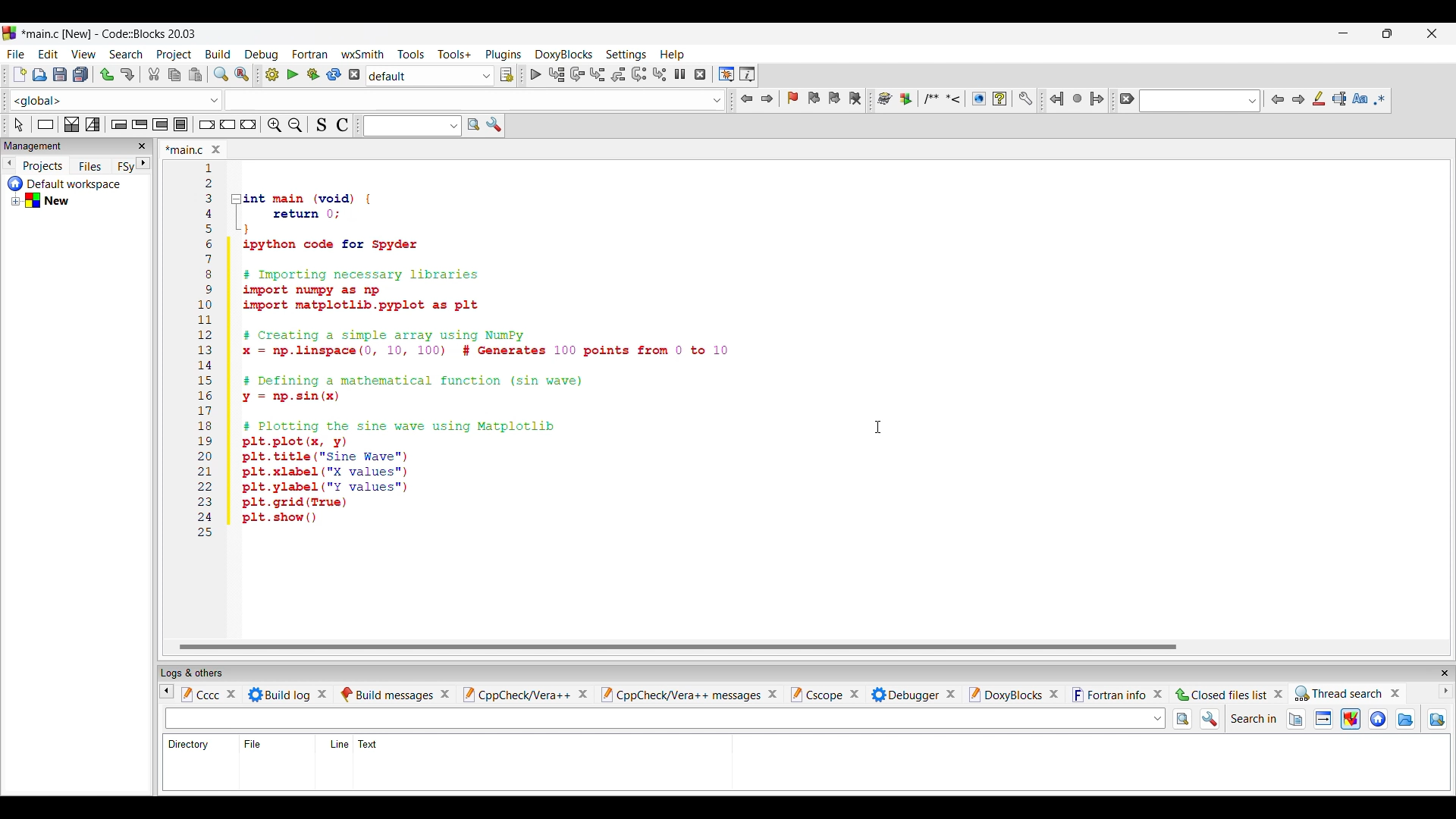  Describe the element at coordinates (1321, 102) in the screenshot. I see `Highlight` at that location.